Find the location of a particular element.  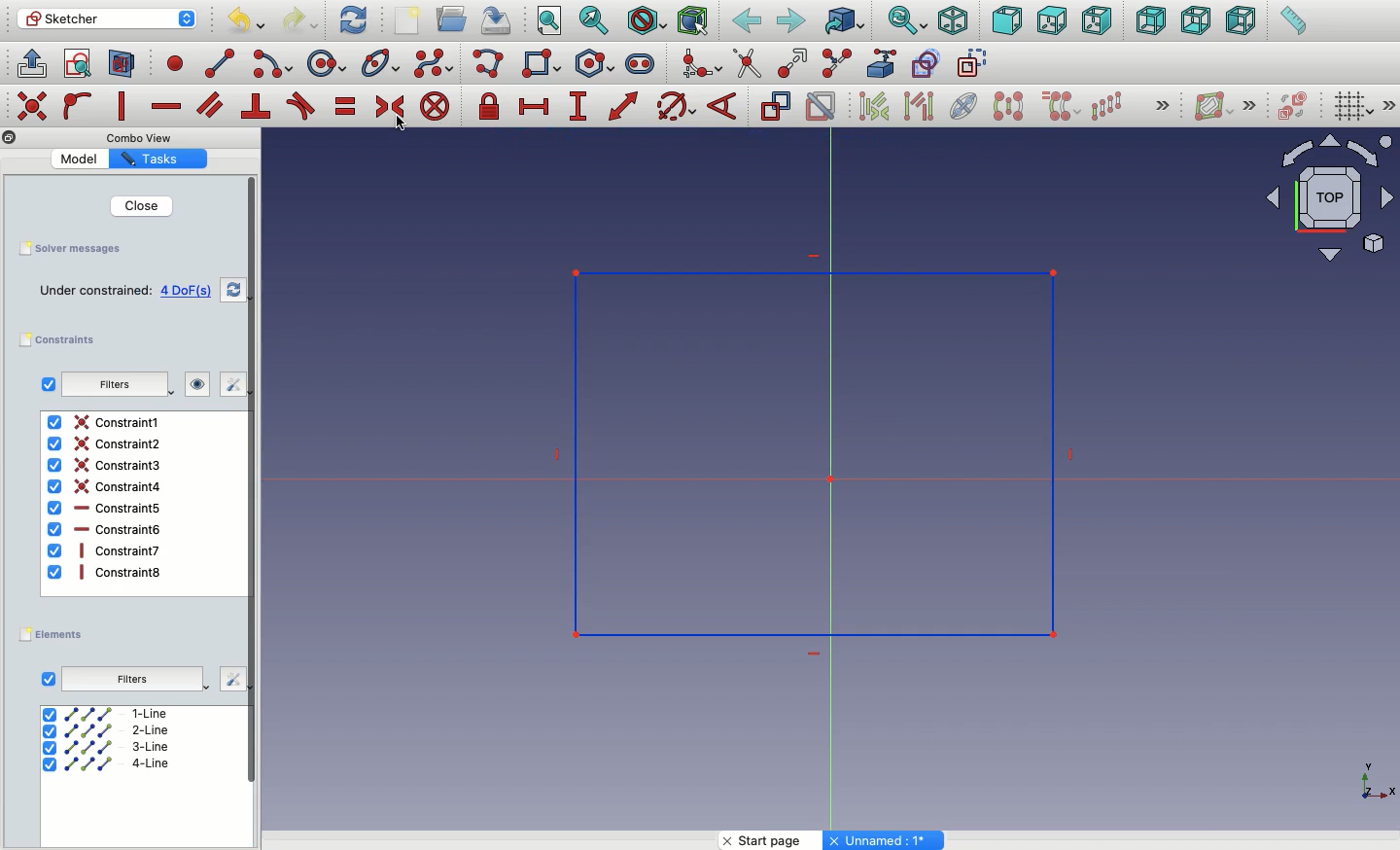

line is located at coordinates (221, 63).